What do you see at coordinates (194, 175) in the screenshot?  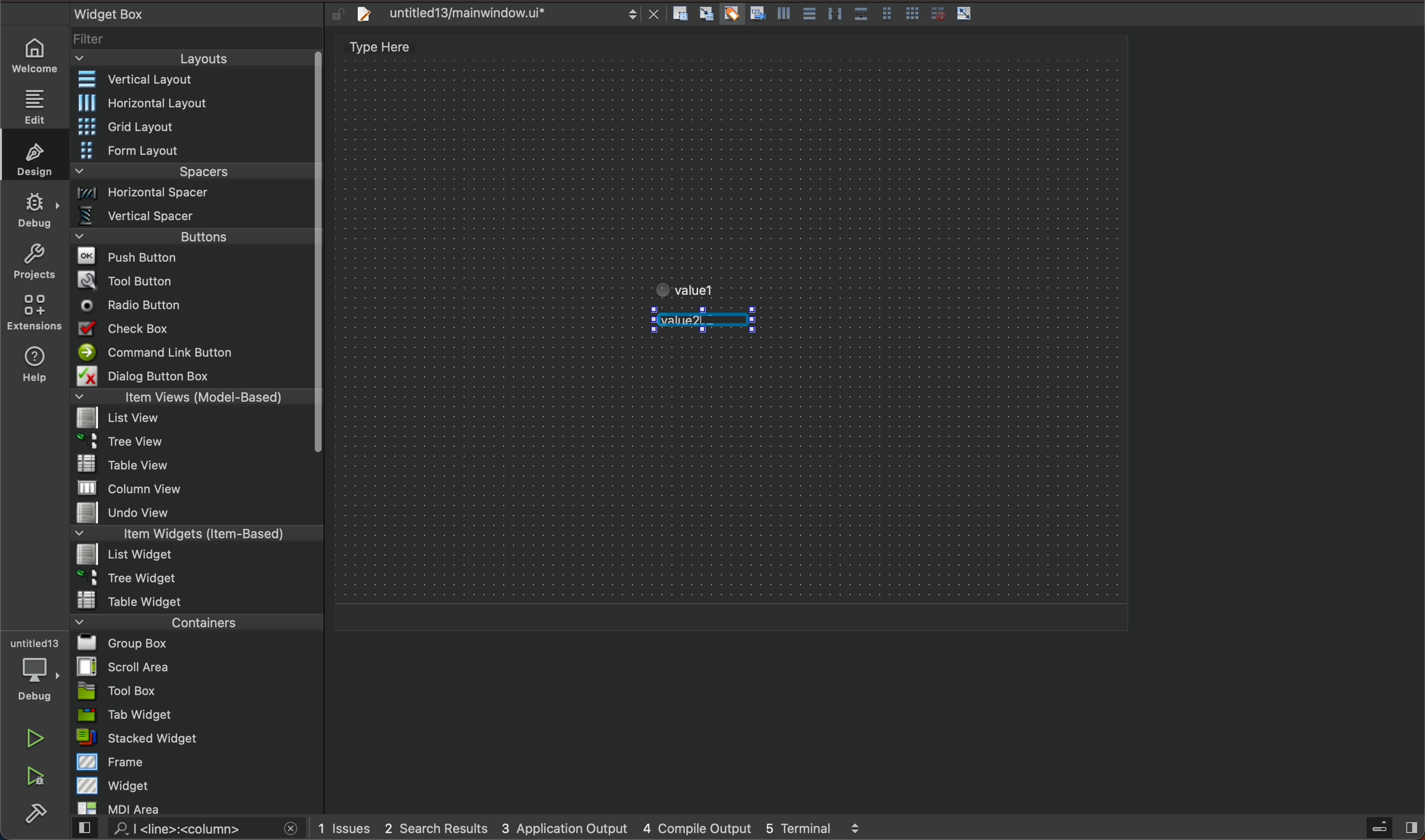 I see `spacers` at bounding box center [194, 175].